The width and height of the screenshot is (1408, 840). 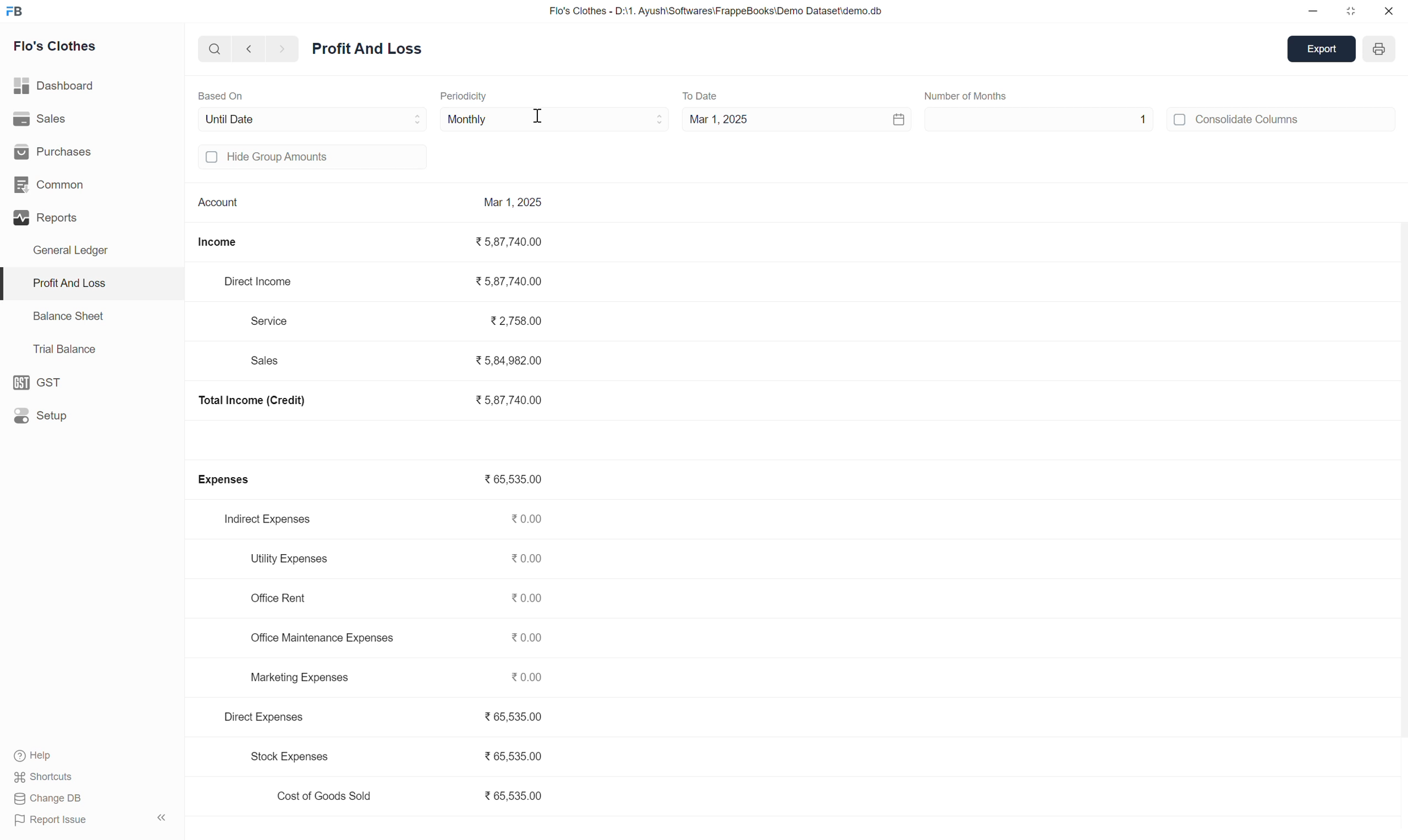 I want to click on Mar 1, 2025, so click(x=722, y=119).